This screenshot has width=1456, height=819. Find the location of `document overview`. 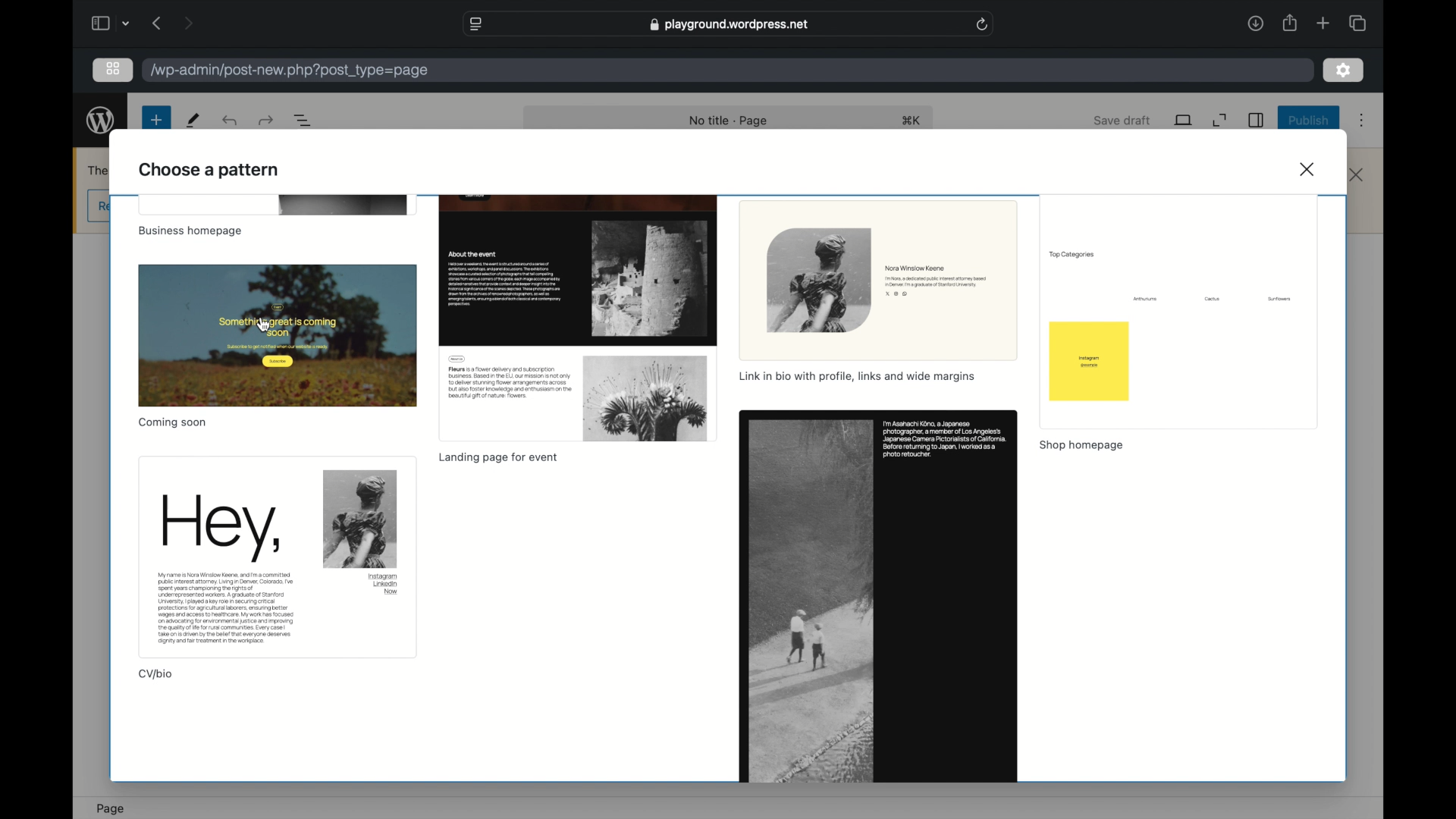

document overview is located at coordinates (303, 121).